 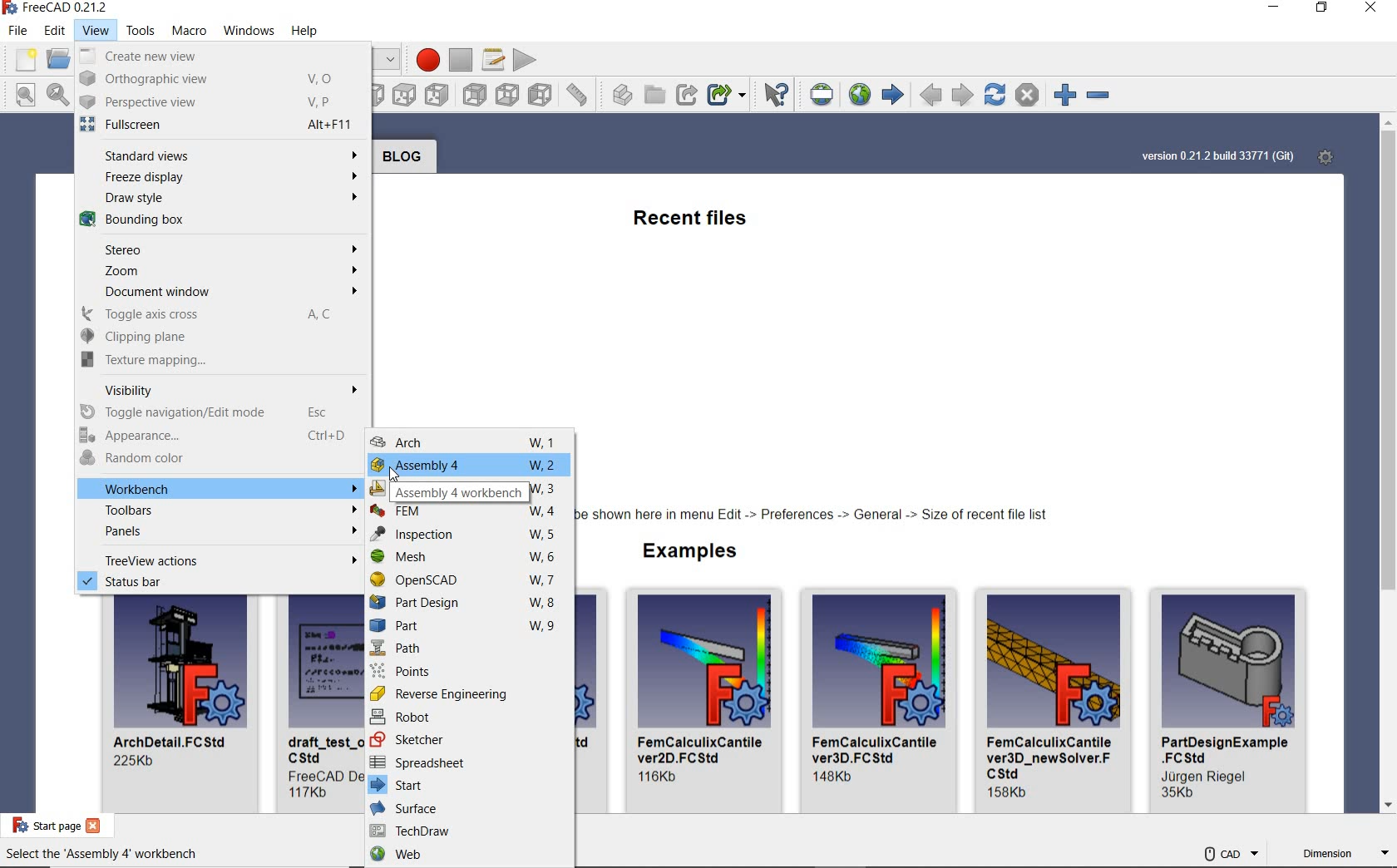 I want to click on cursor, so click(x=393, y=476).